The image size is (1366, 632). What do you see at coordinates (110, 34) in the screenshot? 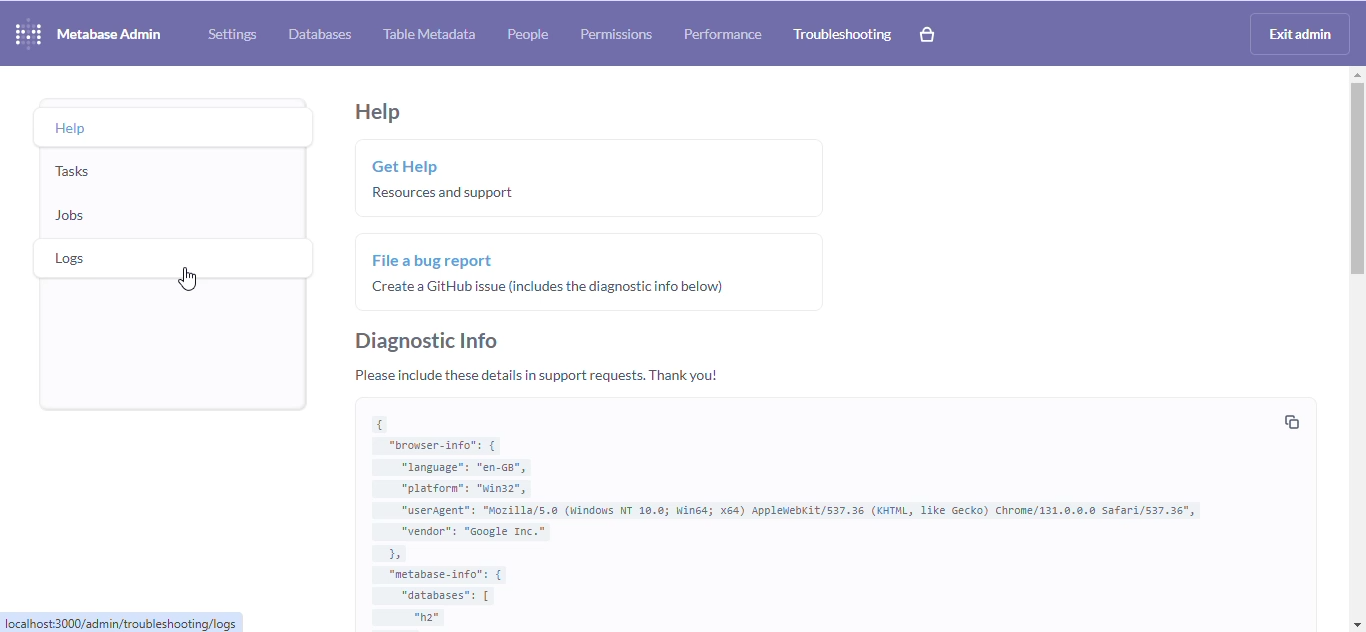
I see `metabase admin` at bounding box center [110, 34].